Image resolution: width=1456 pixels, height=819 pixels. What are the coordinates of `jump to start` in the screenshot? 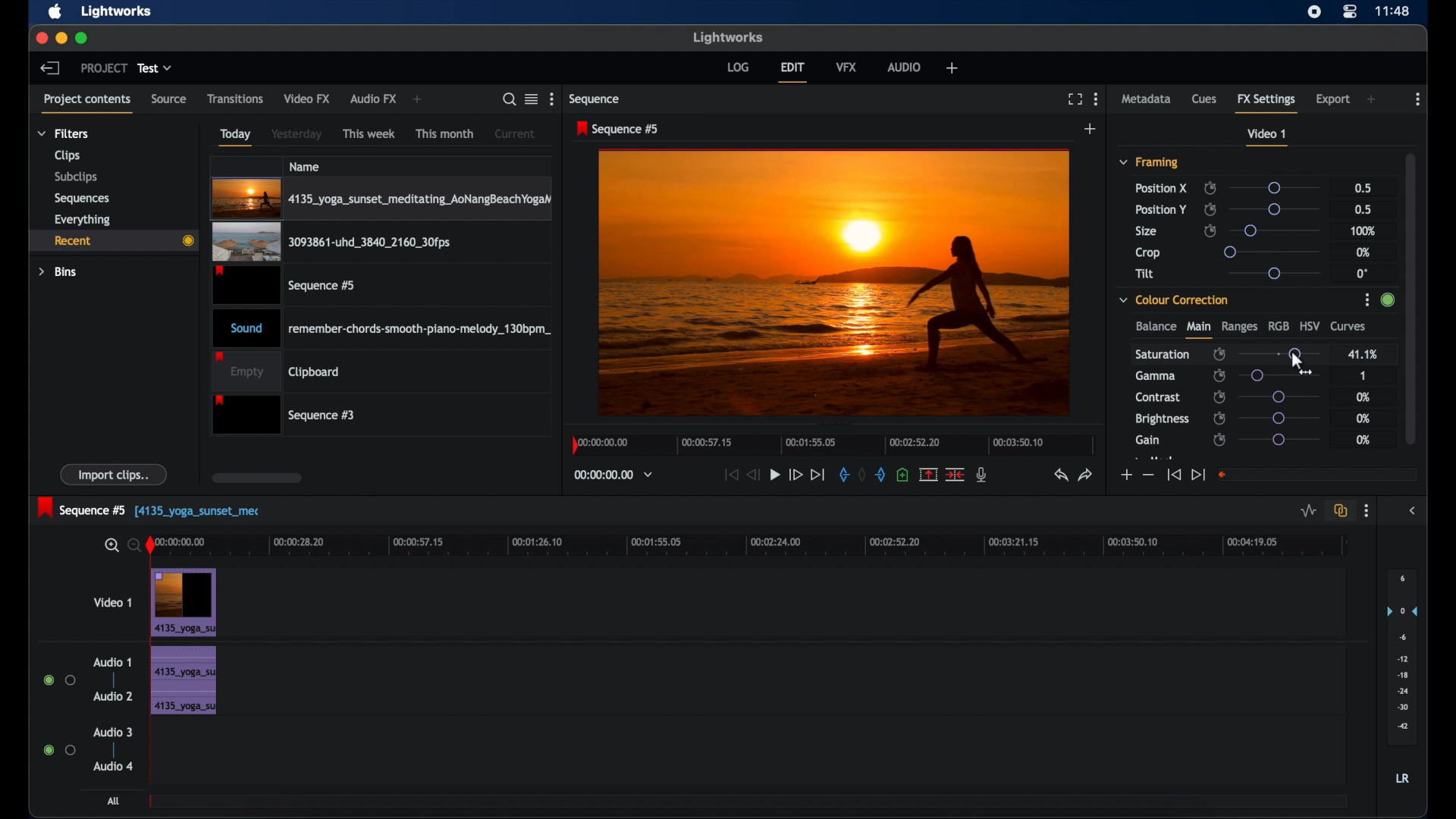 It's located at (1173, 475).